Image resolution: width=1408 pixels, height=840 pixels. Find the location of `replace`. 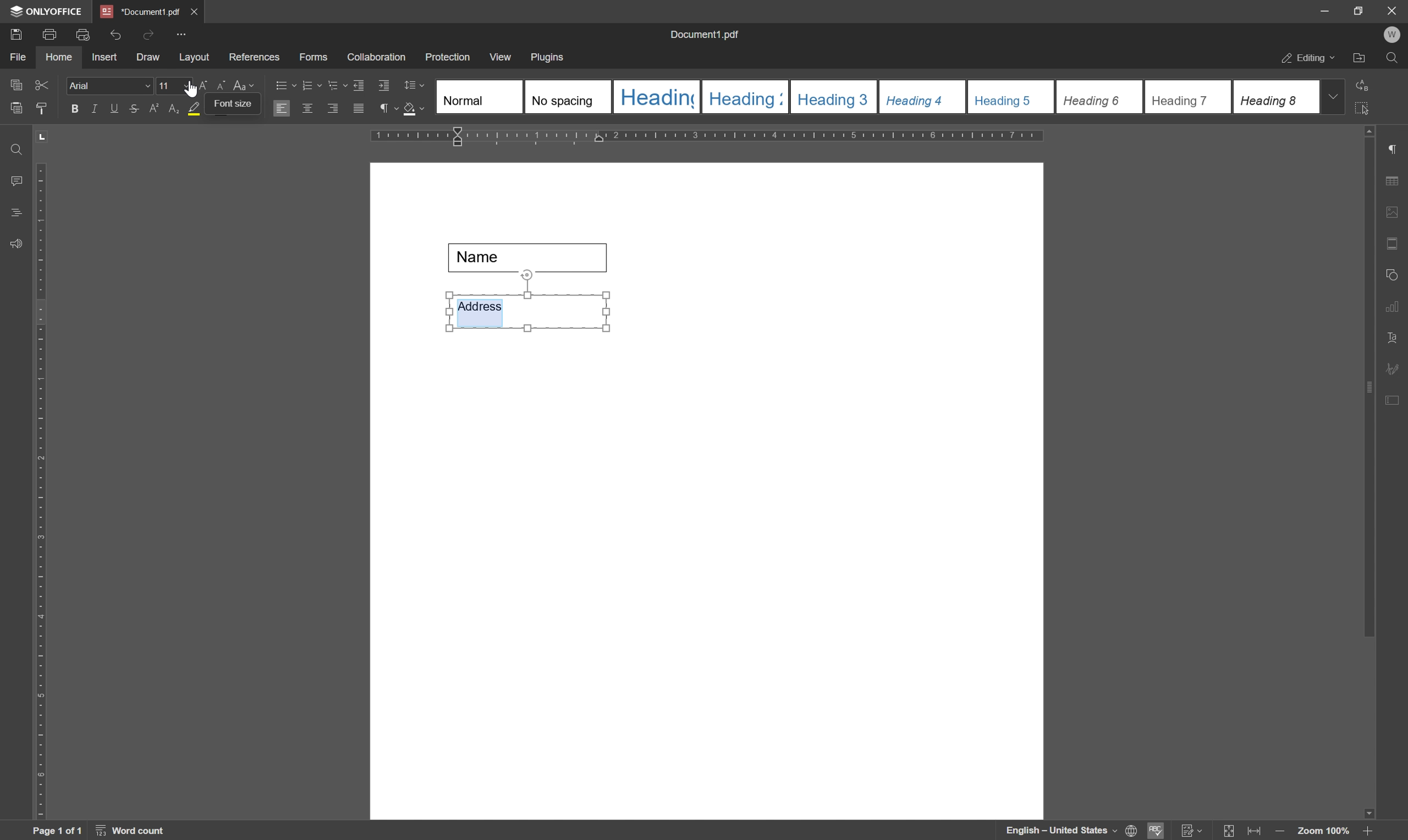

replace is located at coordinates (1364, 83).